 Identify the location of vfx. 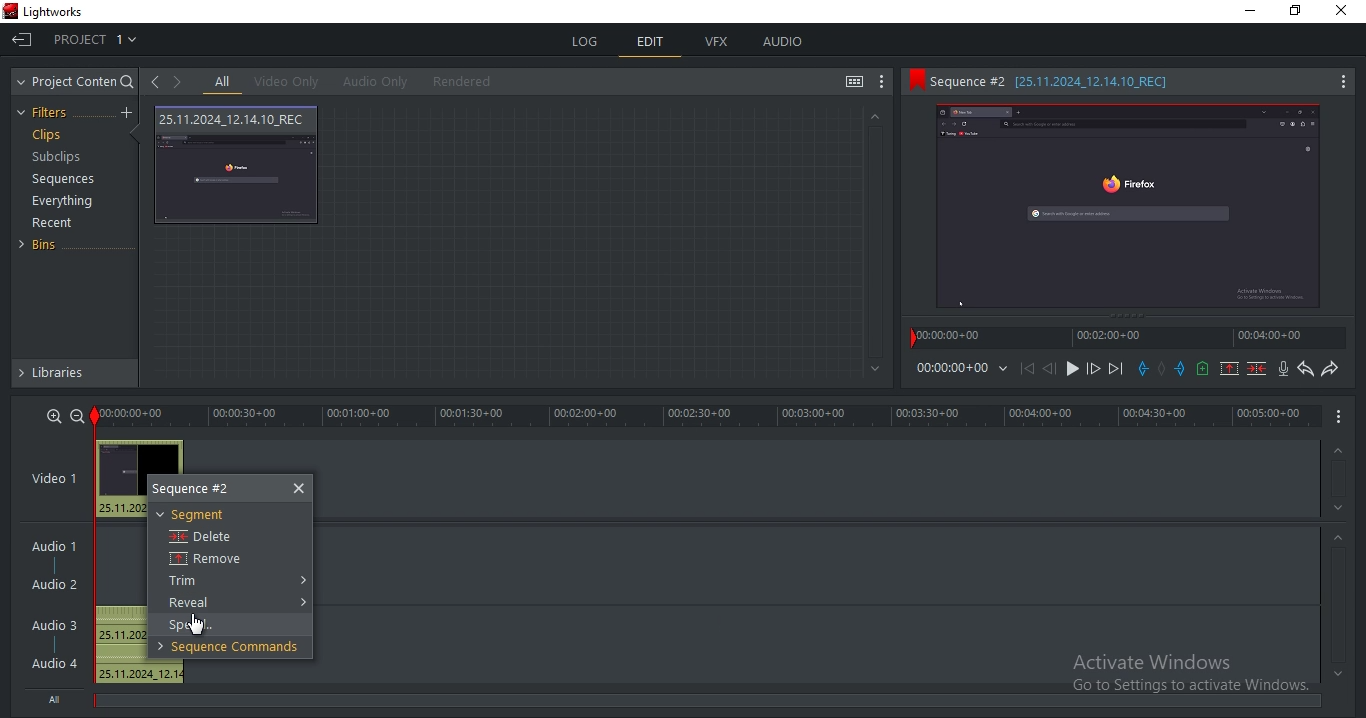
(721, 43).